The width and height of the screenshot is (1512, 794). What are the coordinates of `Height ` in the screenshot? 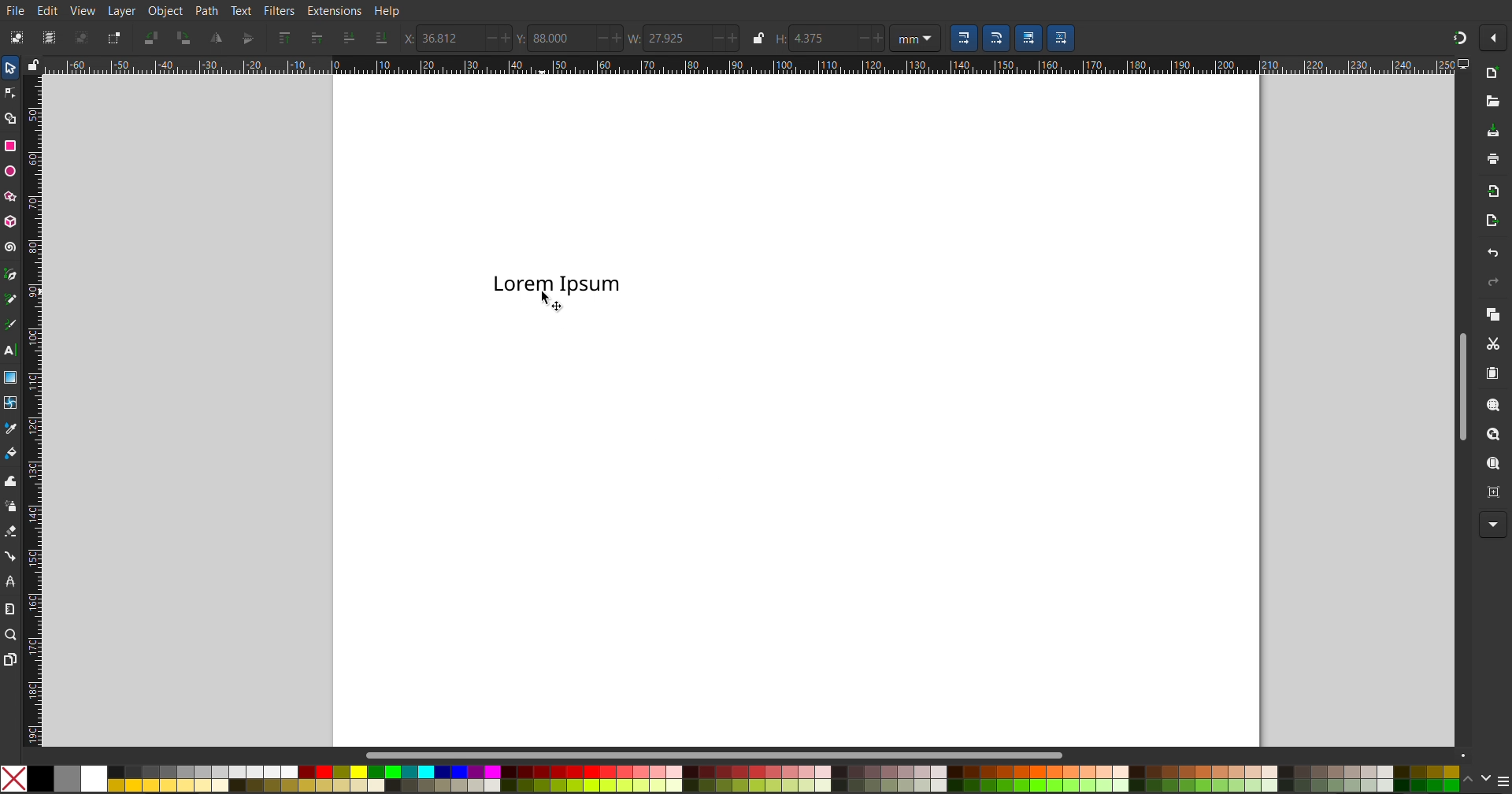 It's located at (829, 39).